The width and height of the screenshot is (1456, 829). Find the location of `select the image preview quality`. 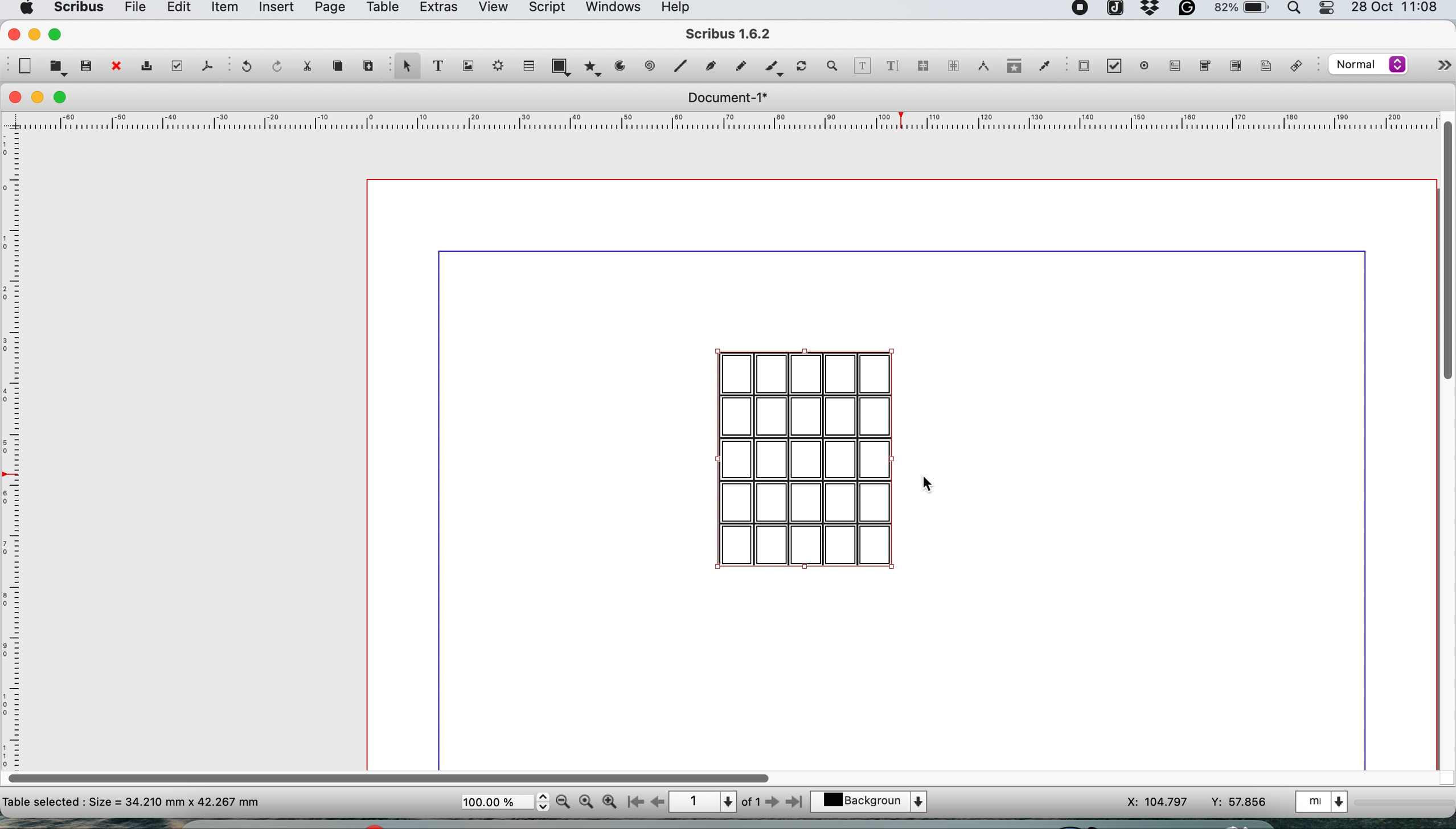

select the image preview quality is located at coordinates (1365, 64).